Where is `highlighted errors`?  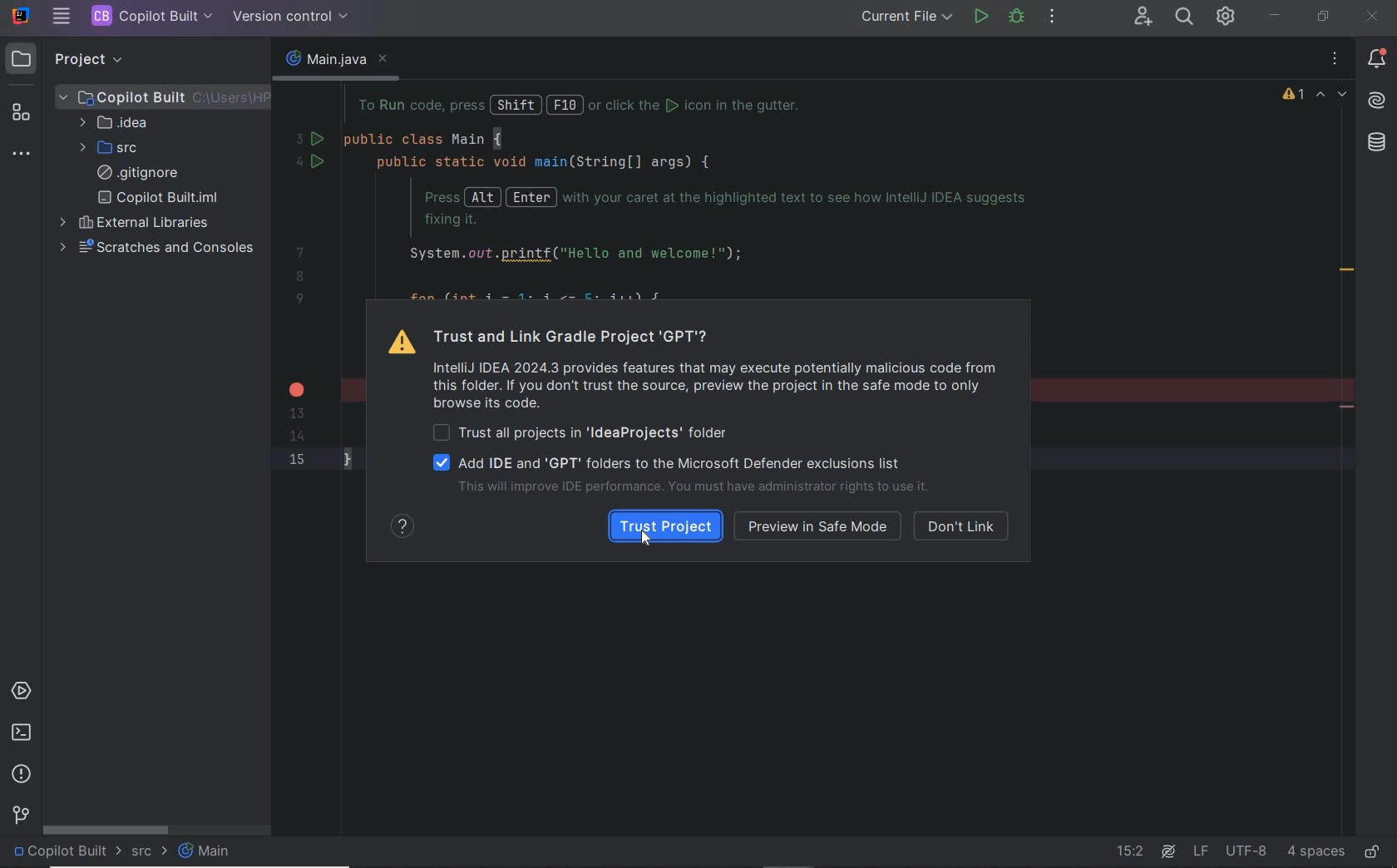 highlighted errors is located at coordinates (1332, 96).